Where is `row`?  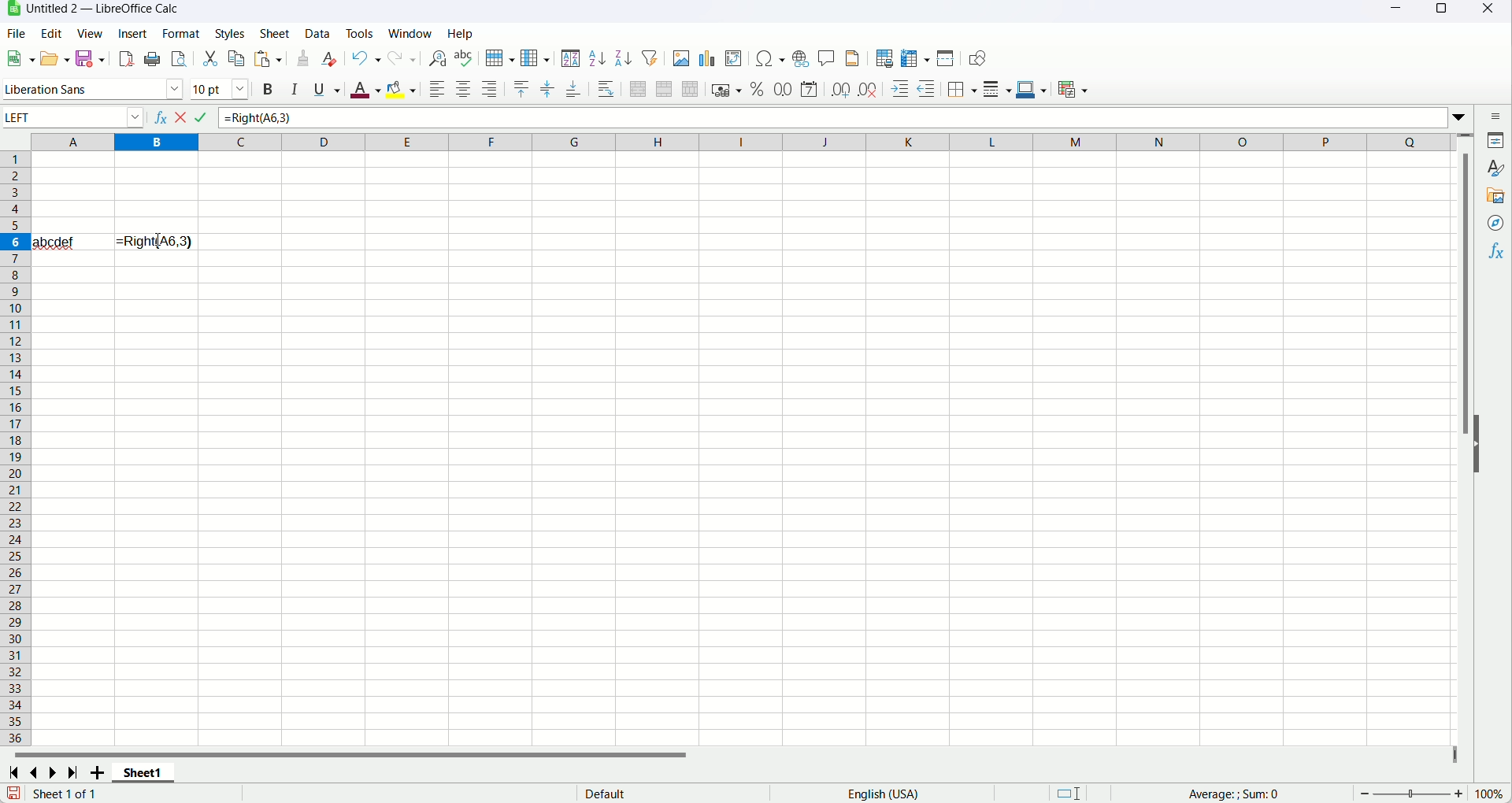
row is located at coordinates (498, 57).